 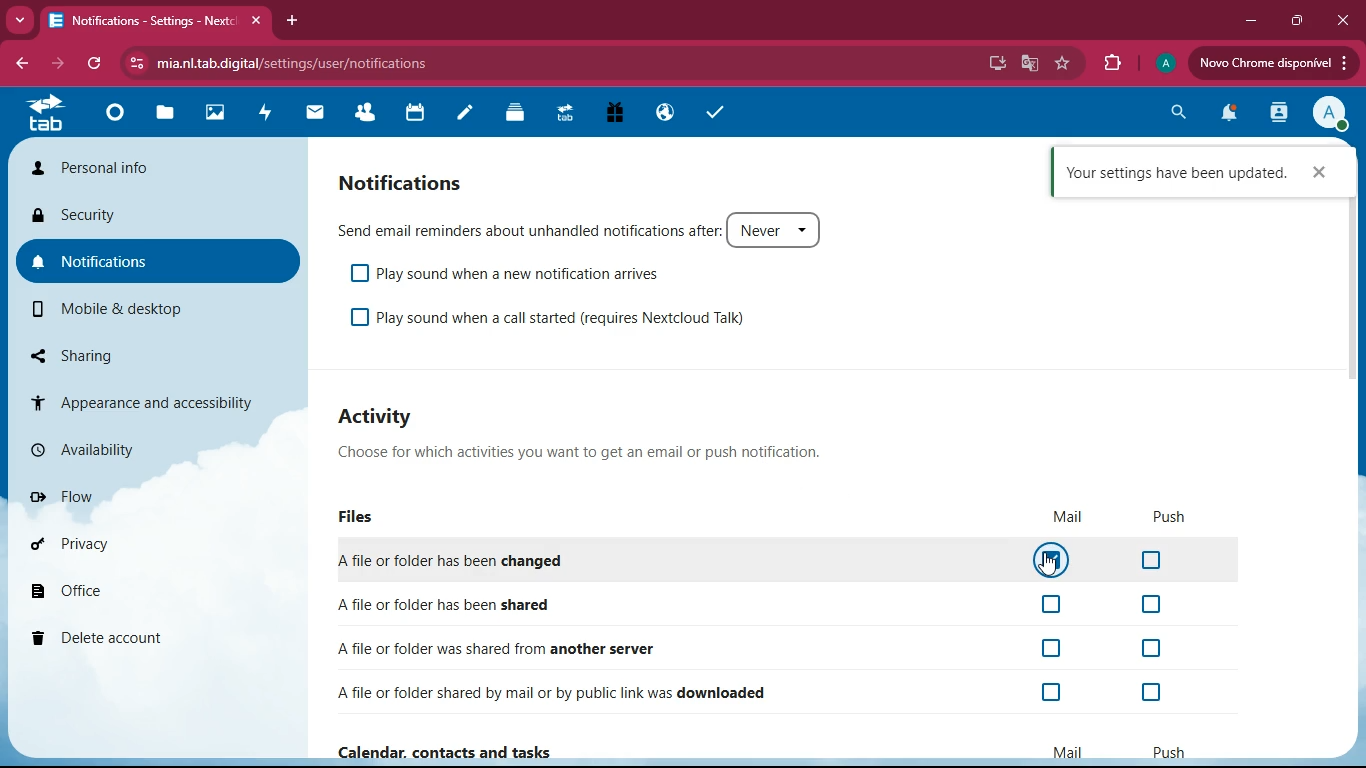 I want to click on close, so click(x=1342, y=19).